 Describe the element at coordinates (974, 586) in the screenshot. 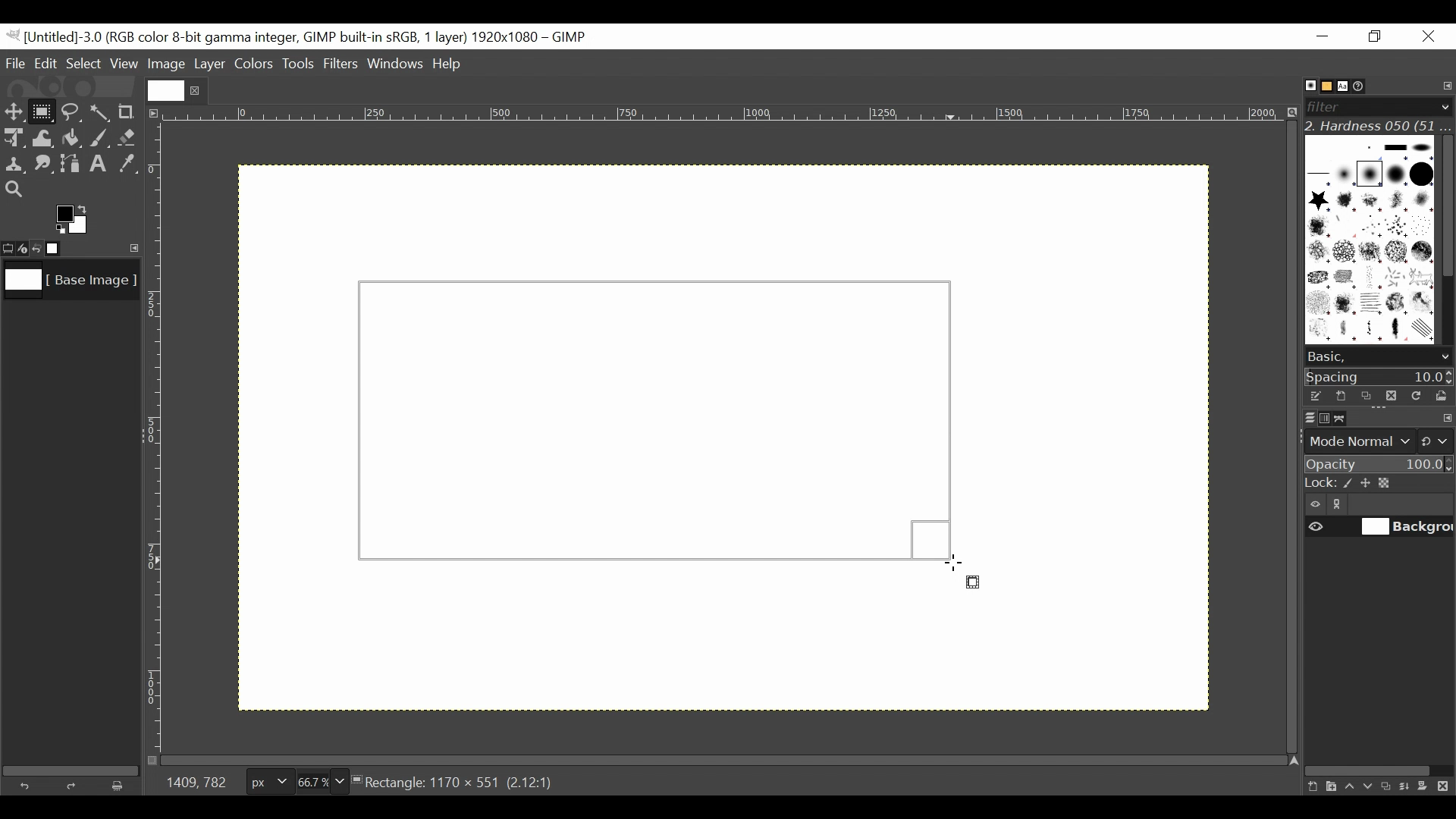

I see `rectangle select` at that location.